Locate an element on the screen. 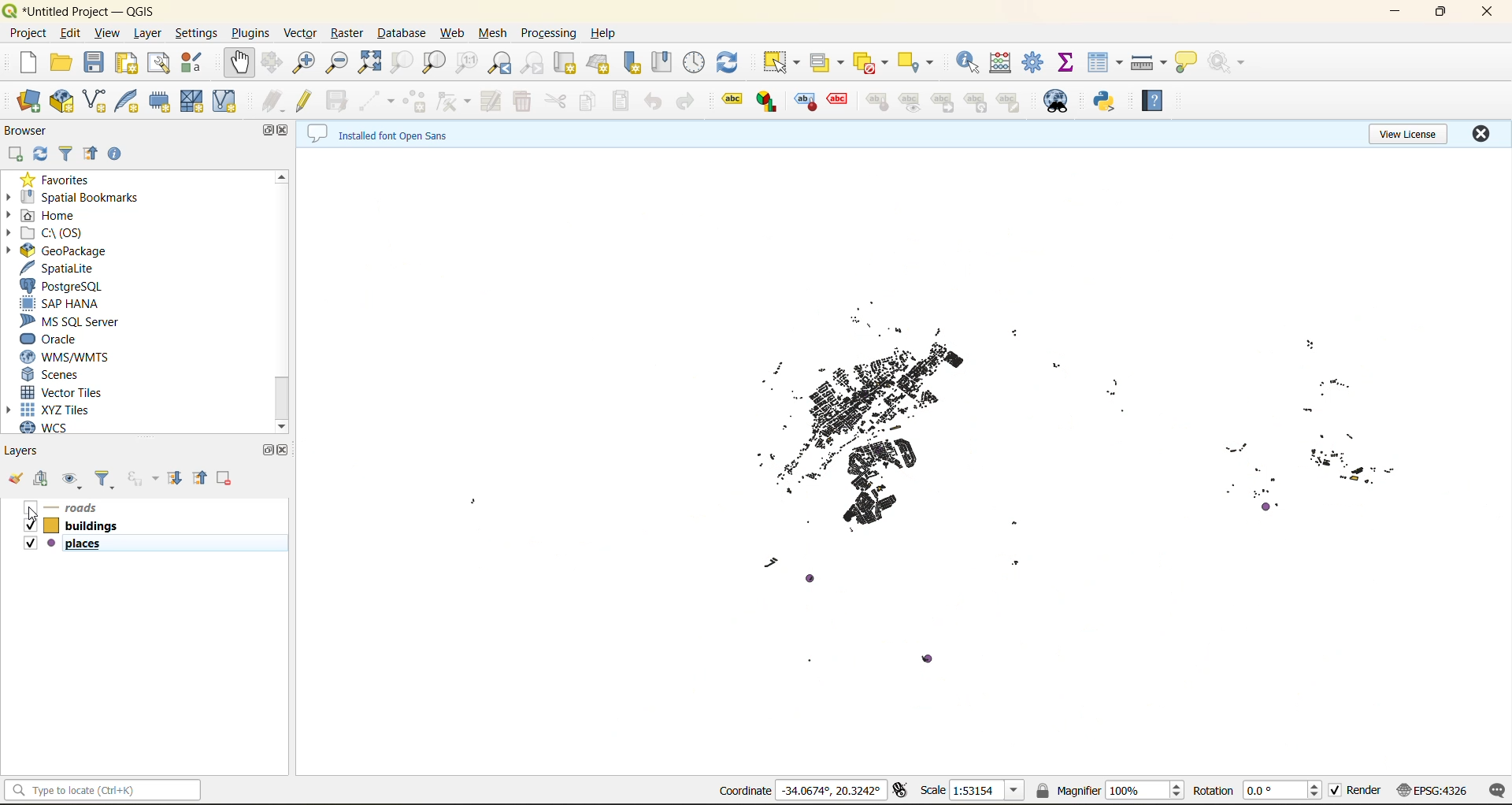 This screenshot has height=805, width=1512. Cursor is located at coordinates (34, 519).